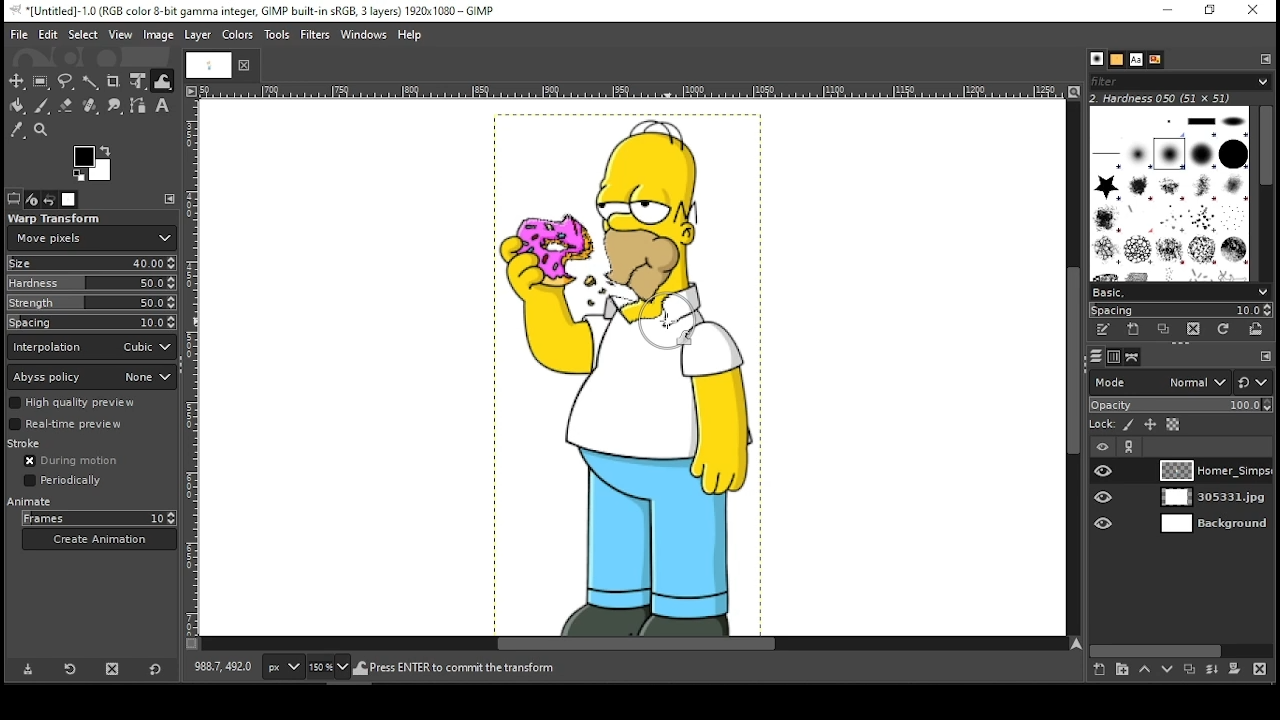  What do you see at coordinates (1252, 382) in the screenshot?
I see `switch to another group of modes` at bounding box center [1252, 382].